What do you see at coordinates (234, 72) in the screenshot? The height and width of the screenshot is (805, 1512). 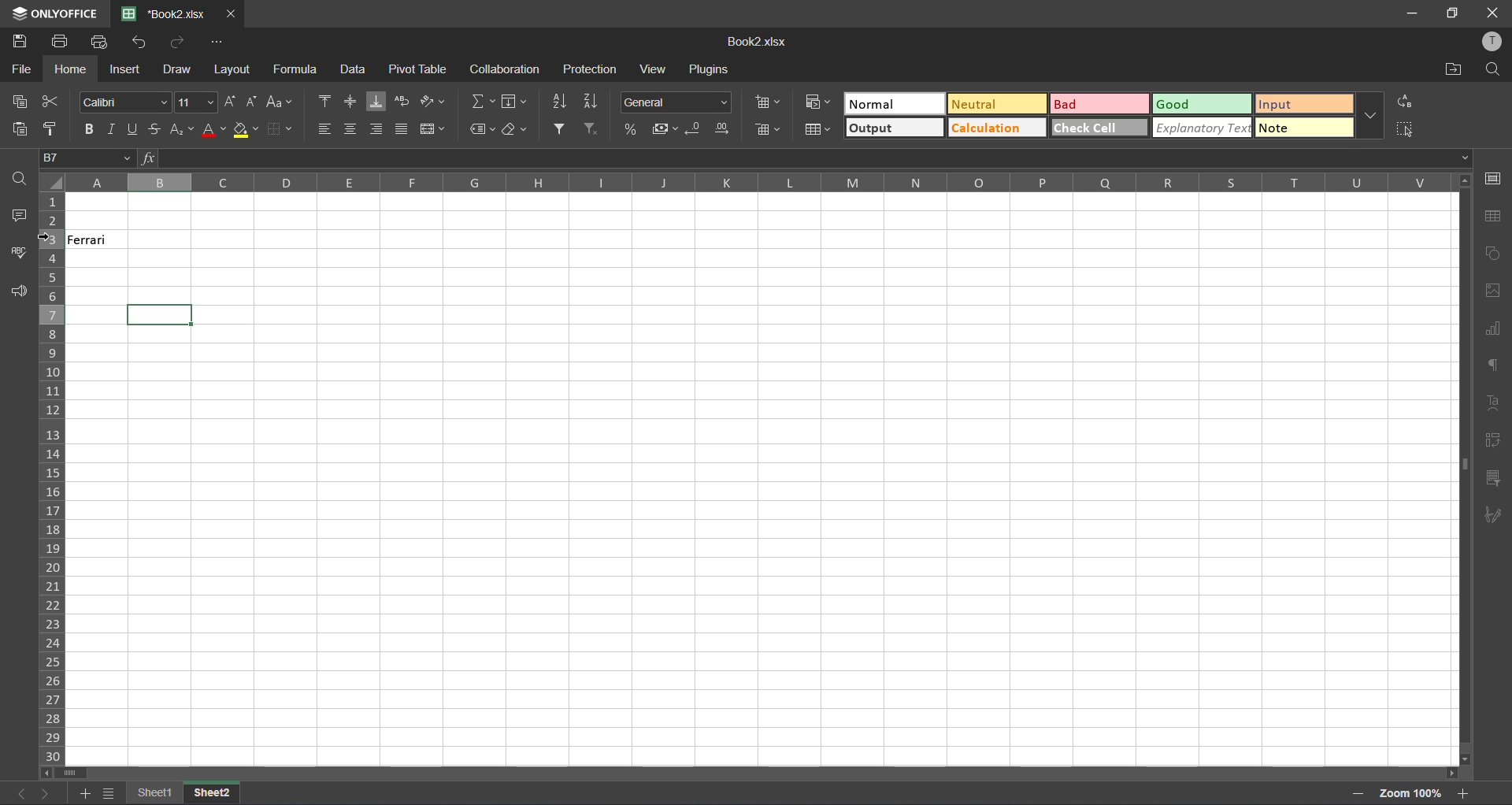 I see `layout` at bounding box center [234, 72].